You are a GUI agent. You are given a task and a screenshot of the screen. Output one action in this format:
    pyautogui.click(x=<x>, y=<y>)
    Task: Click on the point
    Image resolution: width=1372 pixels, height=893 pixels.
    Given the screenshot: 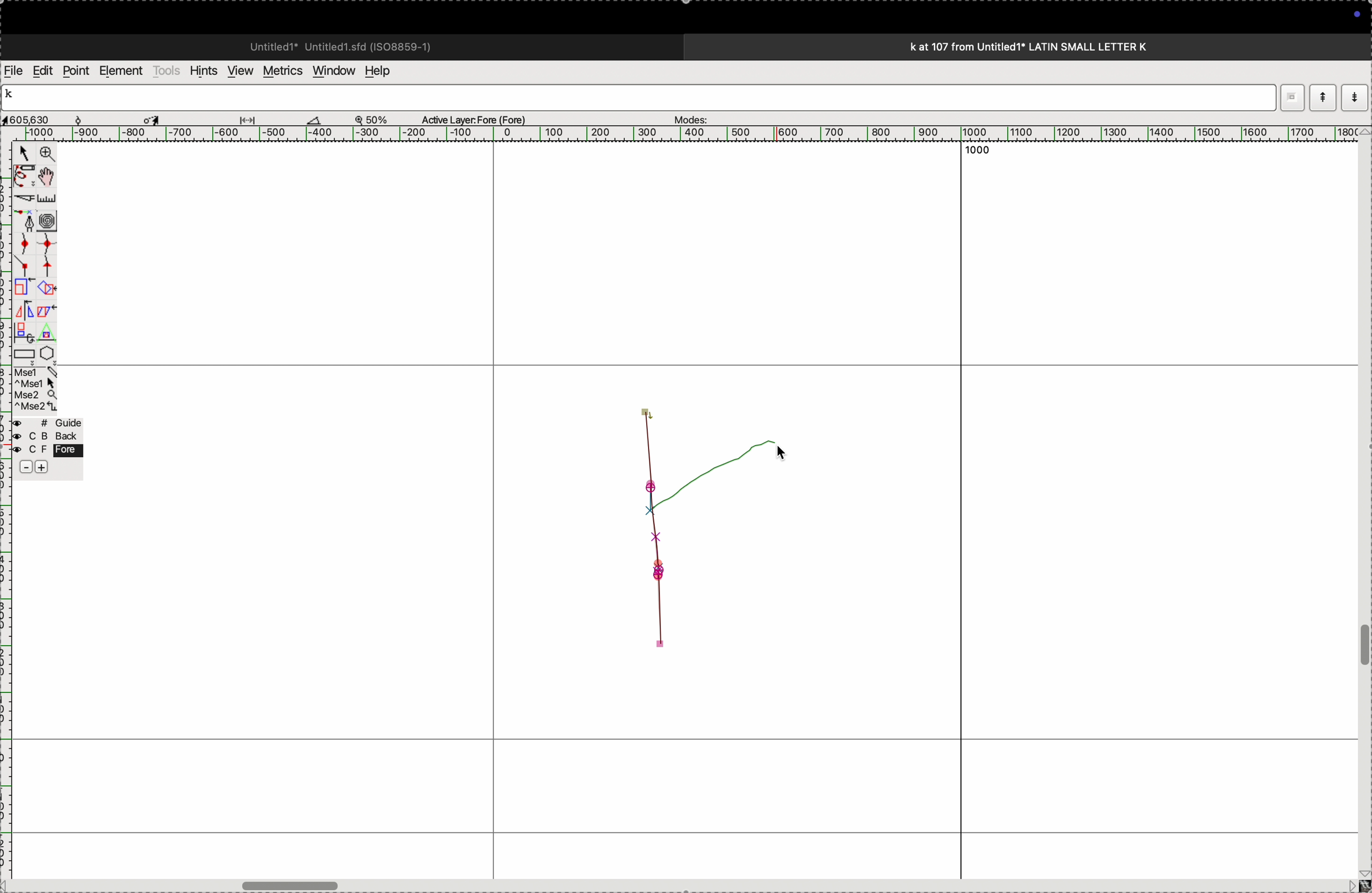 What is the action you would take?
    pyautogui.click(x=76, y=71)
    